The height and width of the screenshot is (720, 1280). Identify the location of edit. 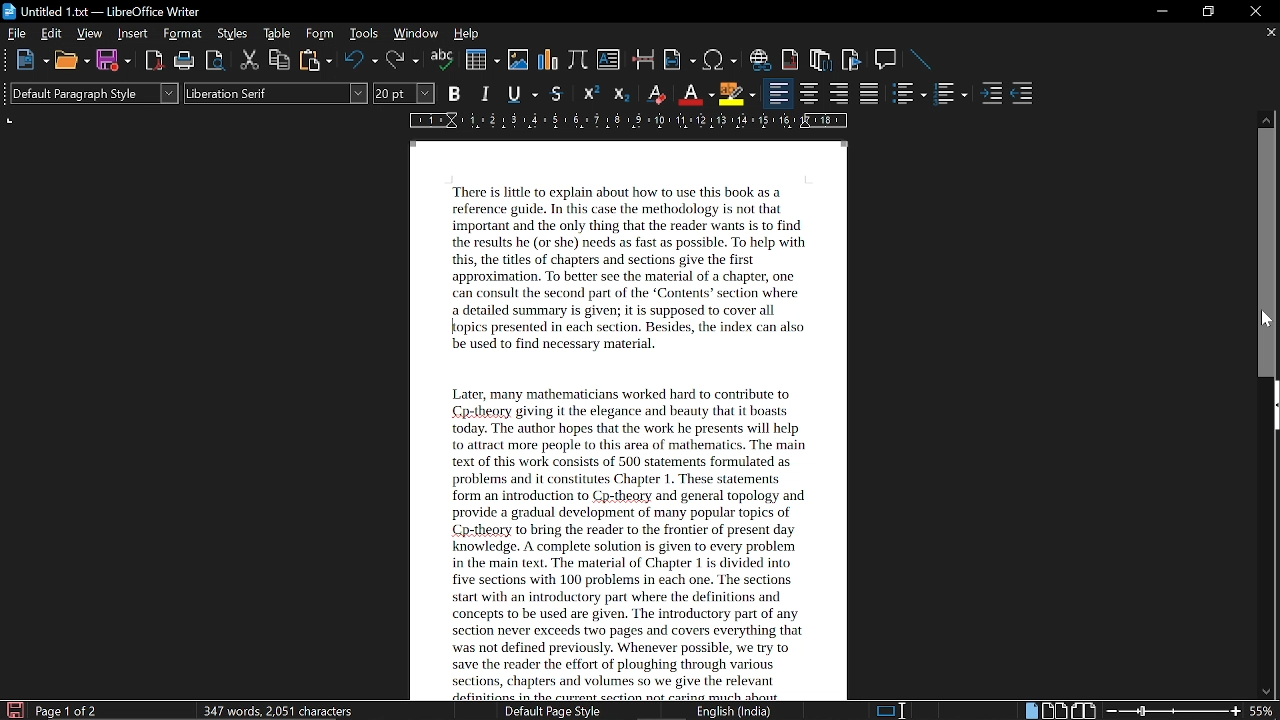
(50, 33).